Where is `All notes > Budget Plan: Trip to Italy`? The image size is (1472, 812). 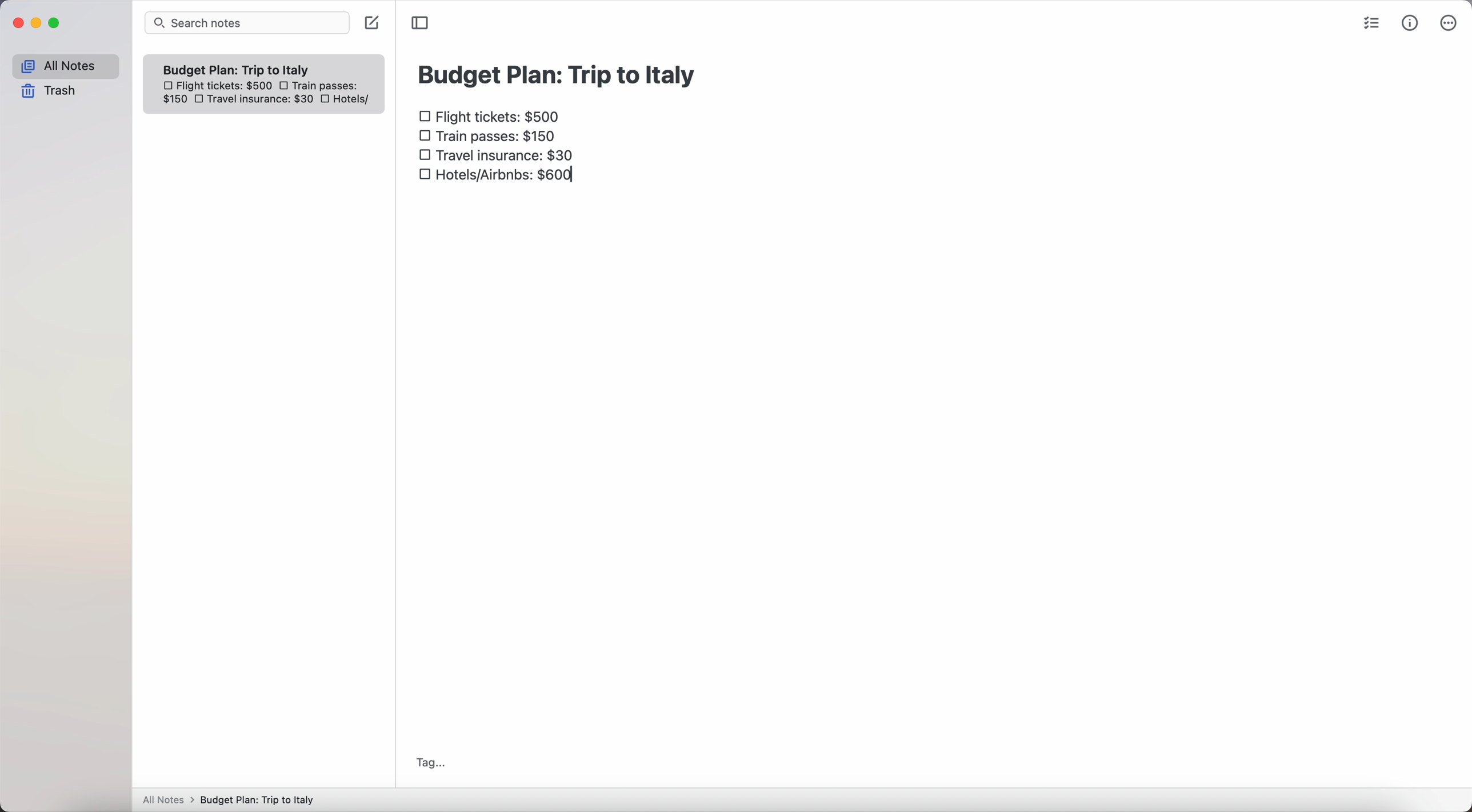
All notes > Budget Plan: Trip to Italy is located at coordinates (234, 799).